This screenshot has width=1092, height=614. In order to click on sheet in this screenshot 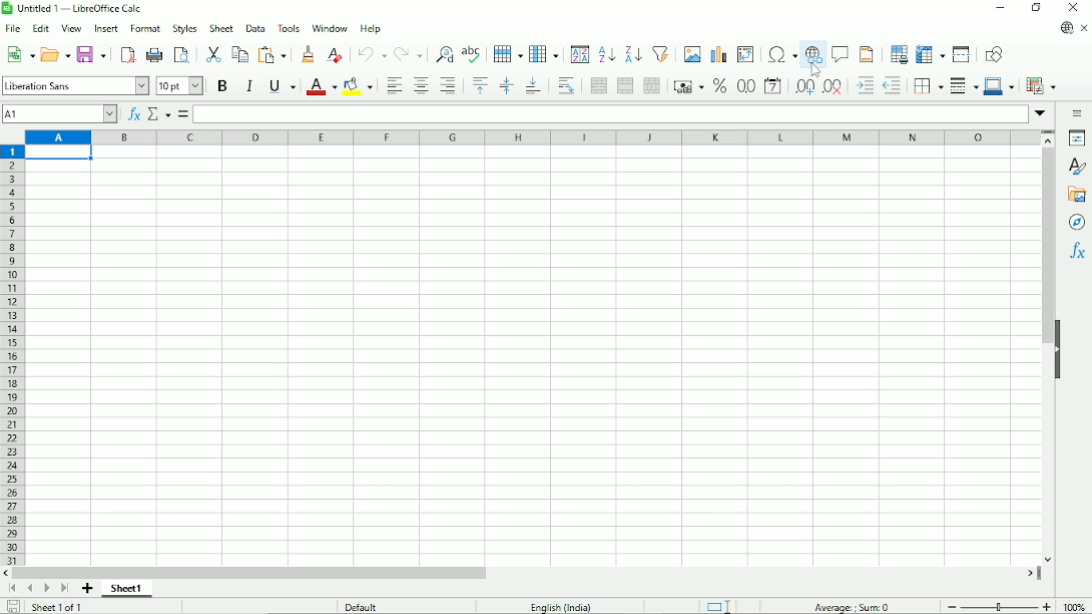, I will do `click(222, 28)`.